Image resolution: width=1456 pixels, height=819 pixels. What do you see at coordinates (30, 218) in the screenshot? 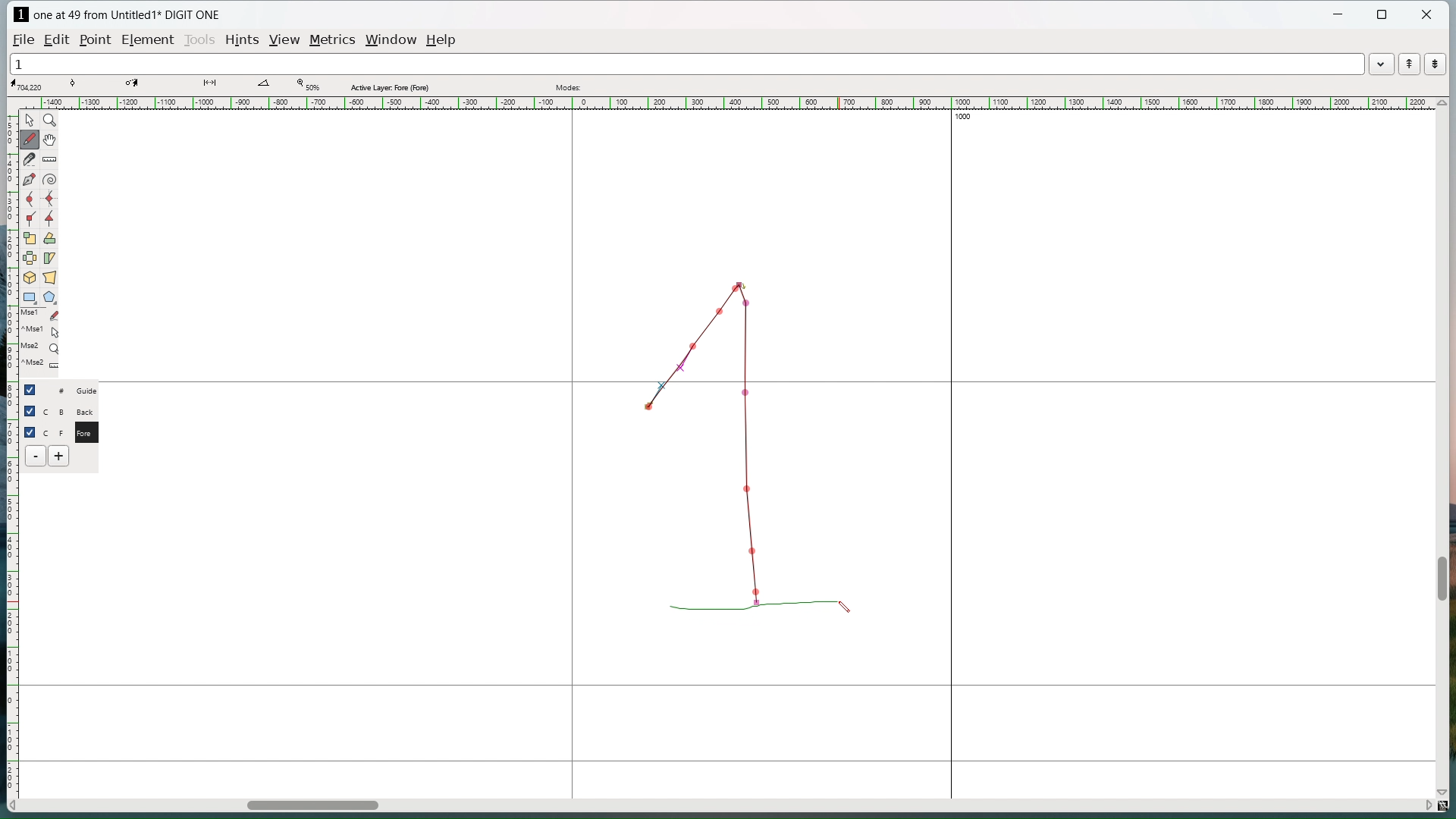
I see `add a corner point` at bounding box center [30, 218].